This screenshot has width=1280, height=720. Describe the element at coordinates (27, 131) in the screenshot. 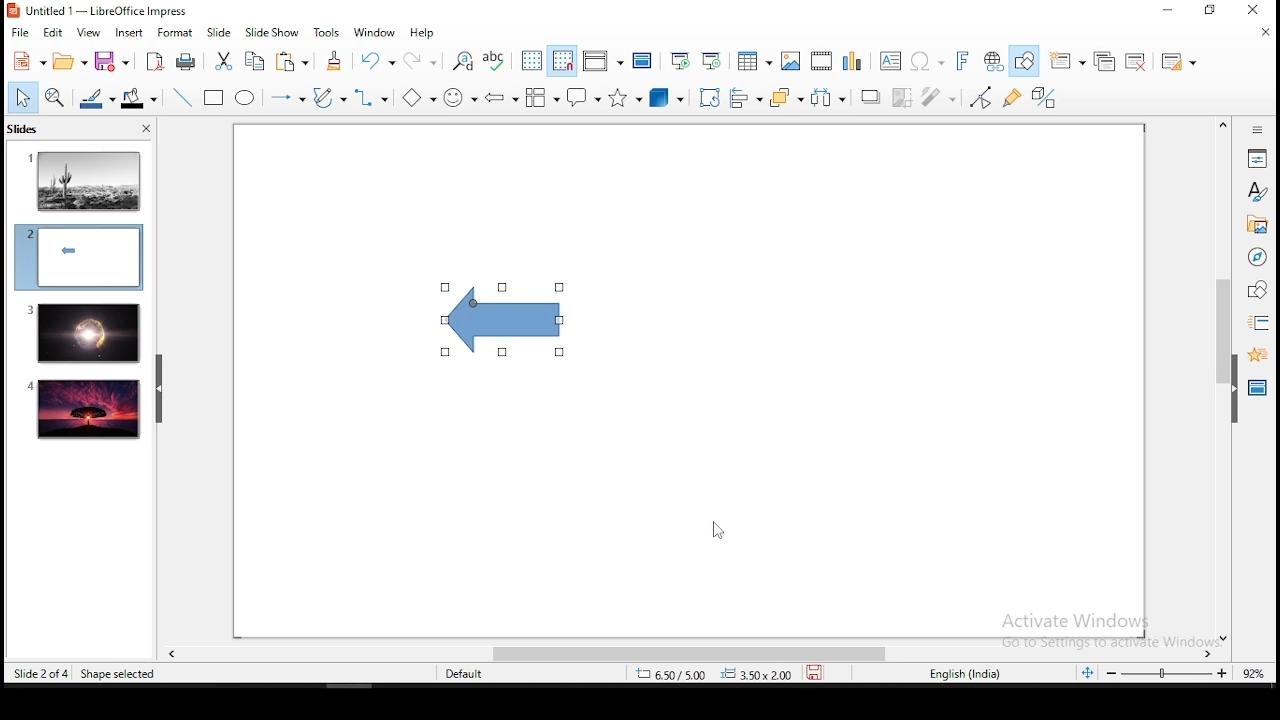

I see `slides` at that location.